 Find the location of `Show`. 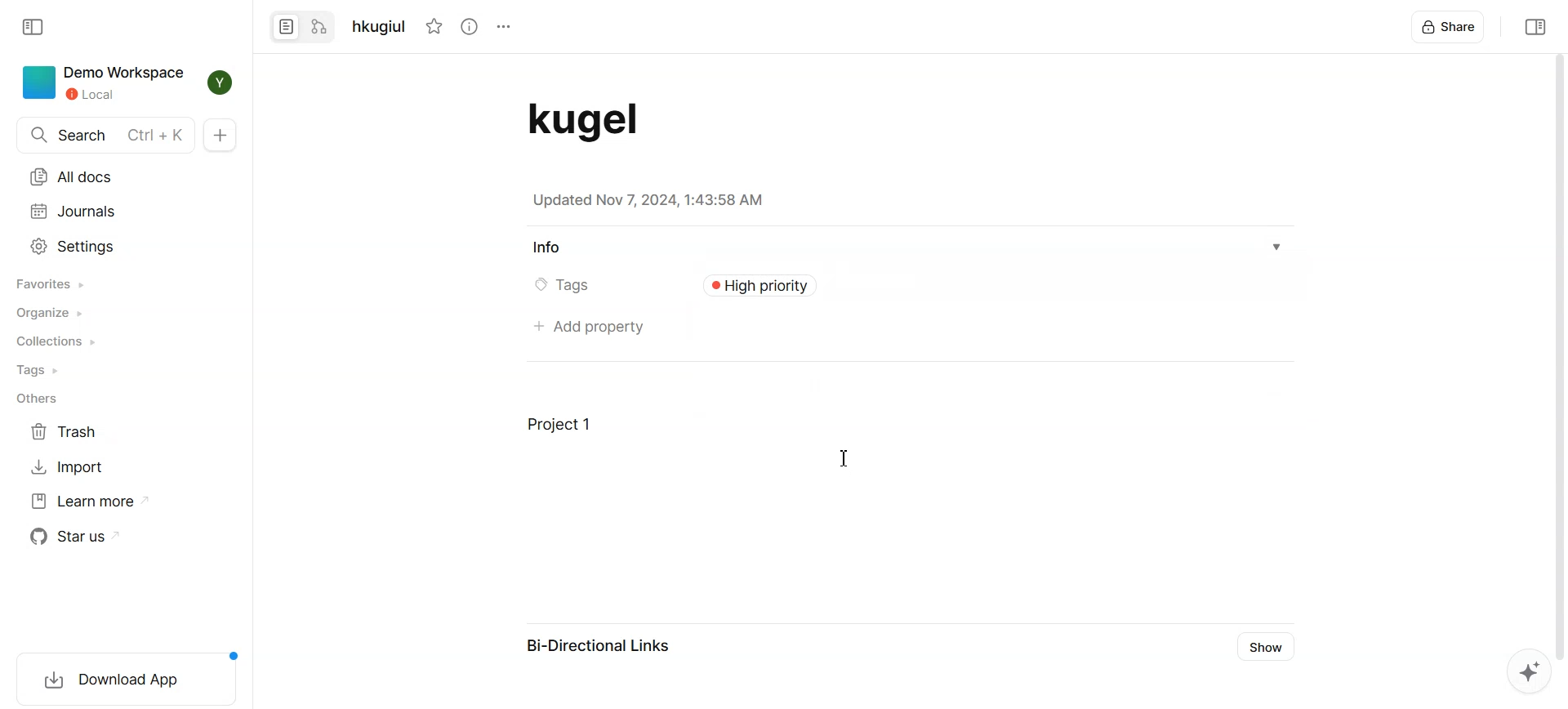

Show is located at coordinates (1269, 646).